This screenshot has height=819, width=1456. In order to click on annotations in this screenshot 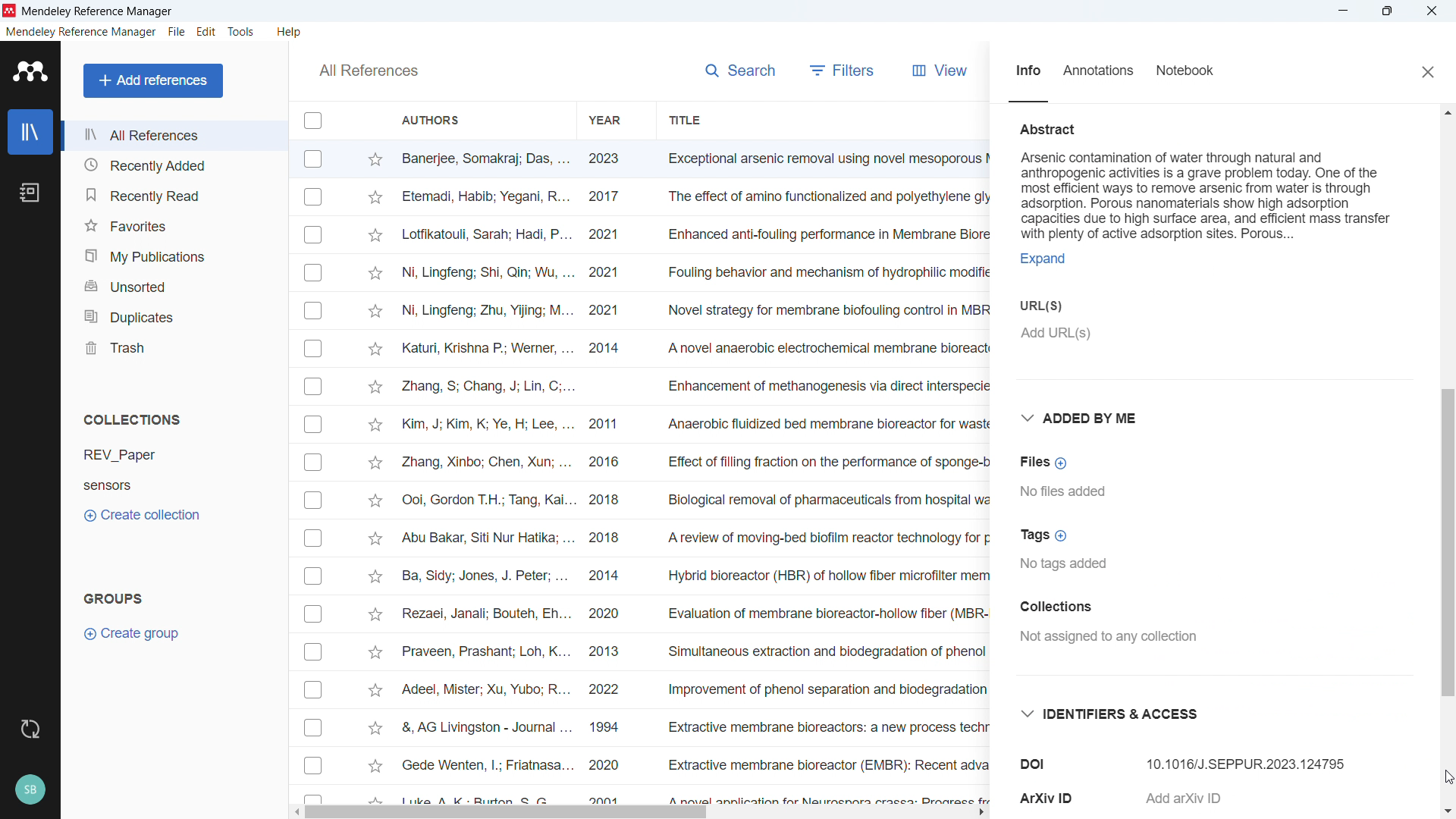, I will do `click(1103, 71)`.